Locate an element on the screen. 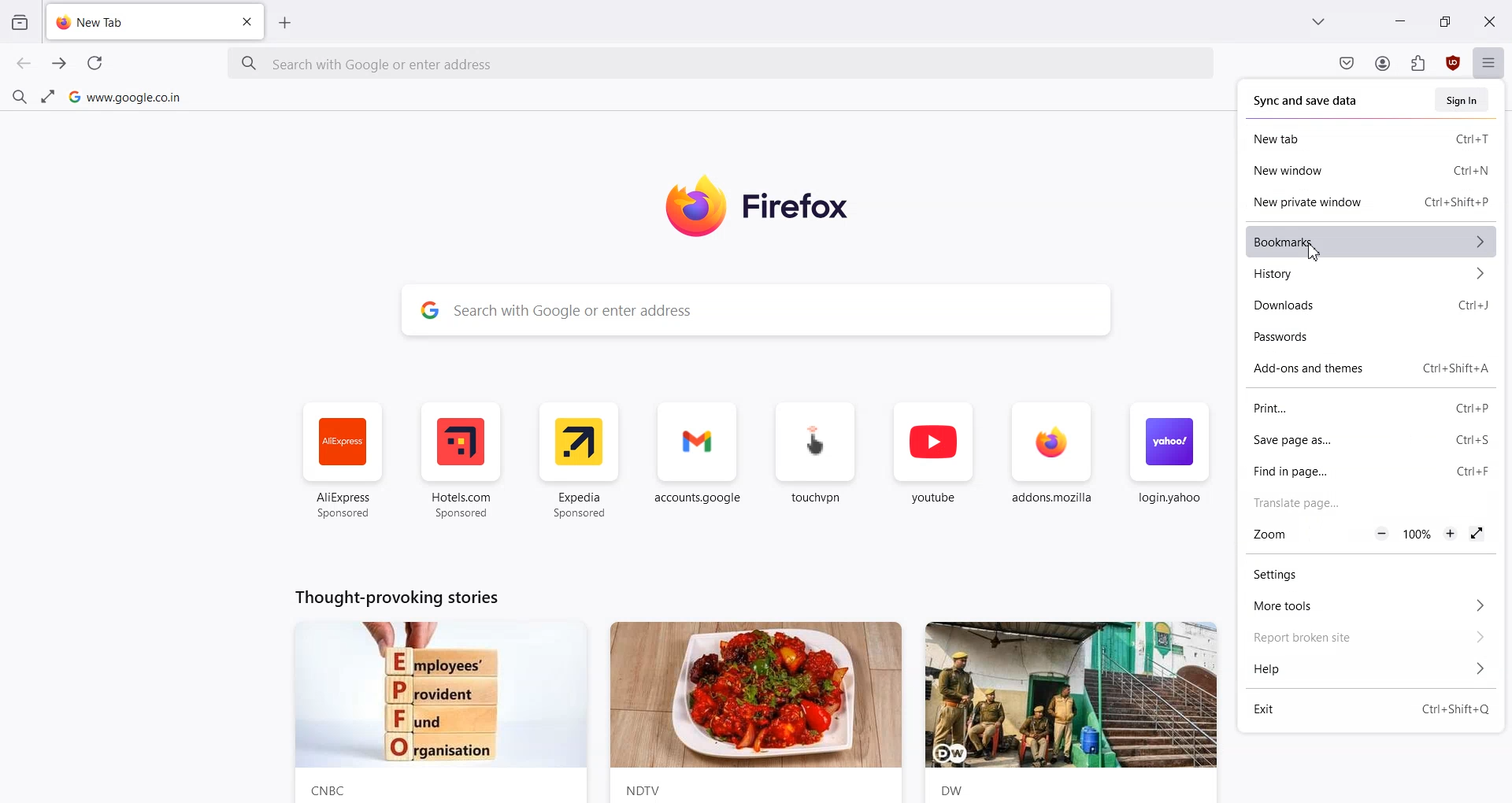 The width and height of the screenshot is (1512, 803). addons.mozilla is located at coordinates (1052, 463).